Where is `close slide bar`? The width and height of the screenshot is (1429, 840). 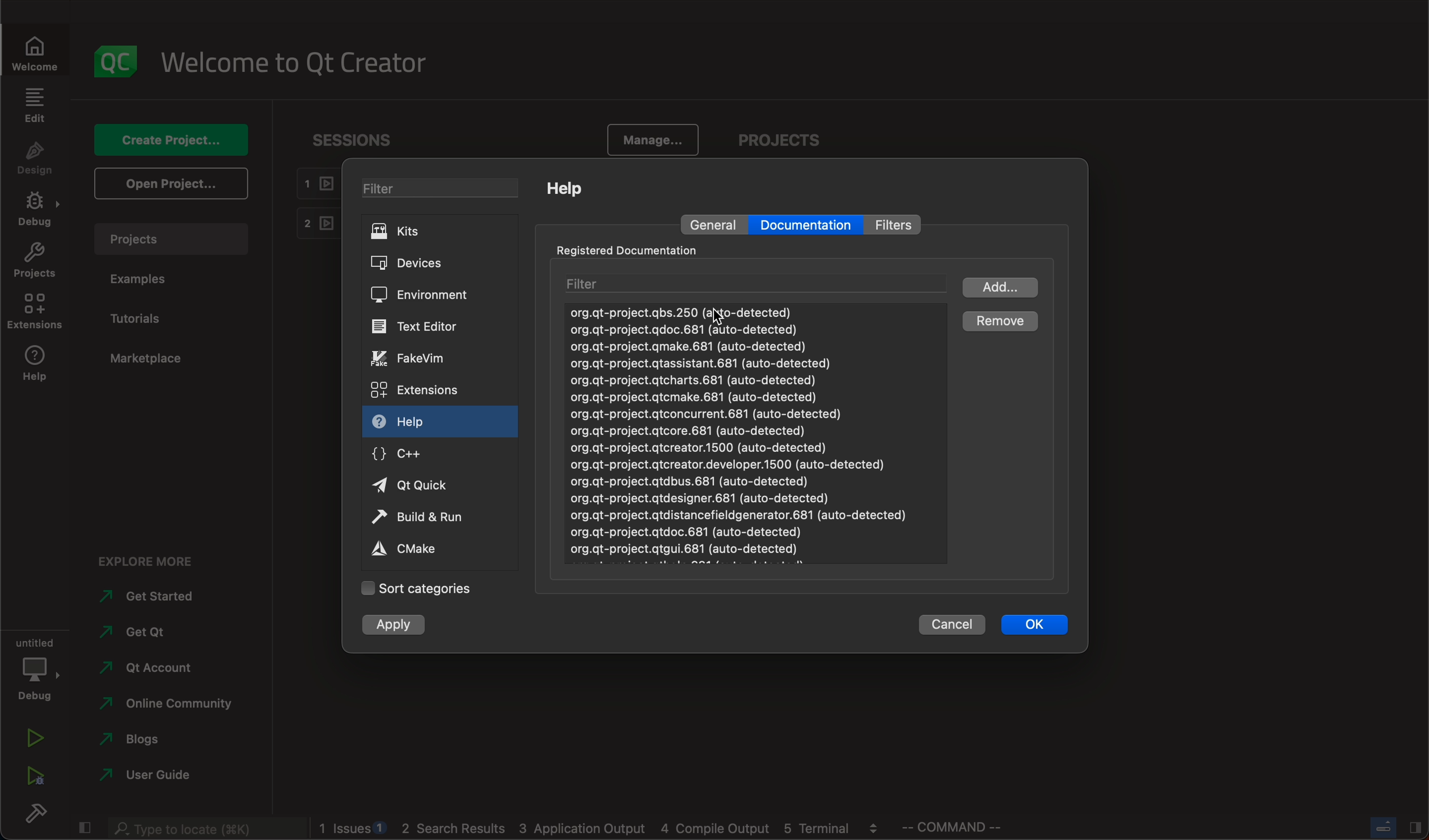
close slide bar is located at coordinates (1390, 828).